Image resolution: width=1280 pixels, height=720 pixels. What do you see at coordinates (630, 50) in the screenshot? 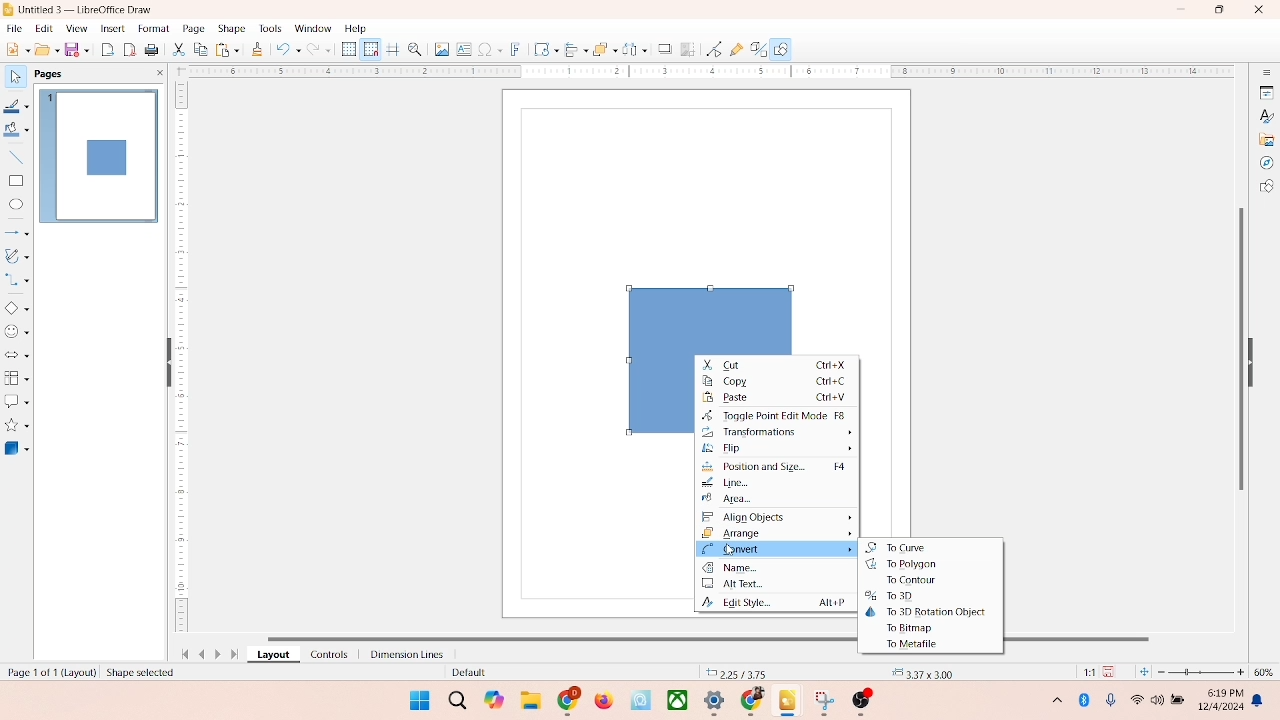
I see `select at least three object to distribute` at bounding box center [630, 50].